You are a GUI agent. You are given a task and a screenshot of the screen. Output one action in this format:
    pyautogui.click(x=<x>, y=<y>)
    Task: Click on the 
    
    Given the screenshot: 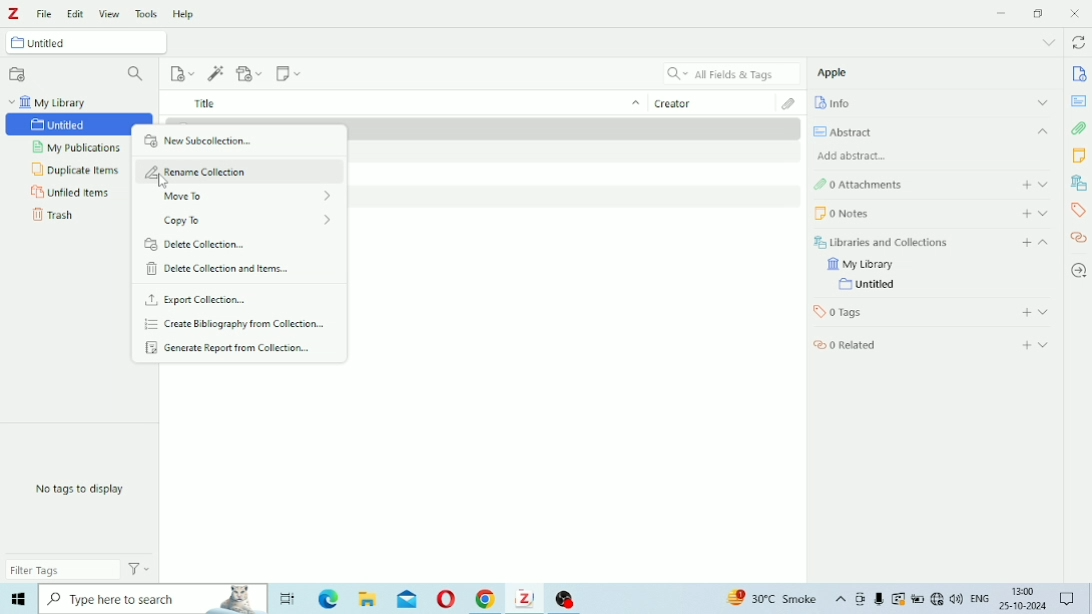 What is the action you would take?
    pyautogui.click(x=766, y=597)
    